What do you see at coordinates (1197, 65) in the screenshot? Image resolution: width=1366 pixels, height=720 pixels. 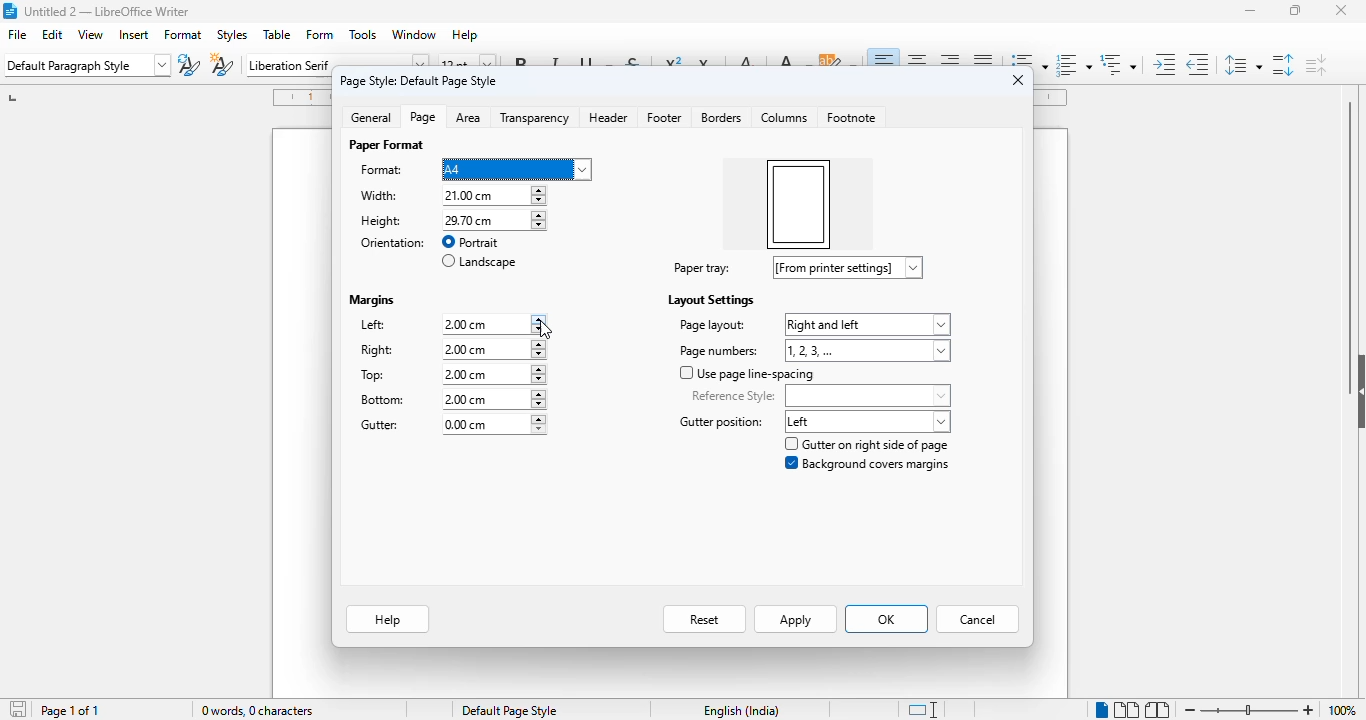 I see `decrease indent` at bounding box center [1197, 65].